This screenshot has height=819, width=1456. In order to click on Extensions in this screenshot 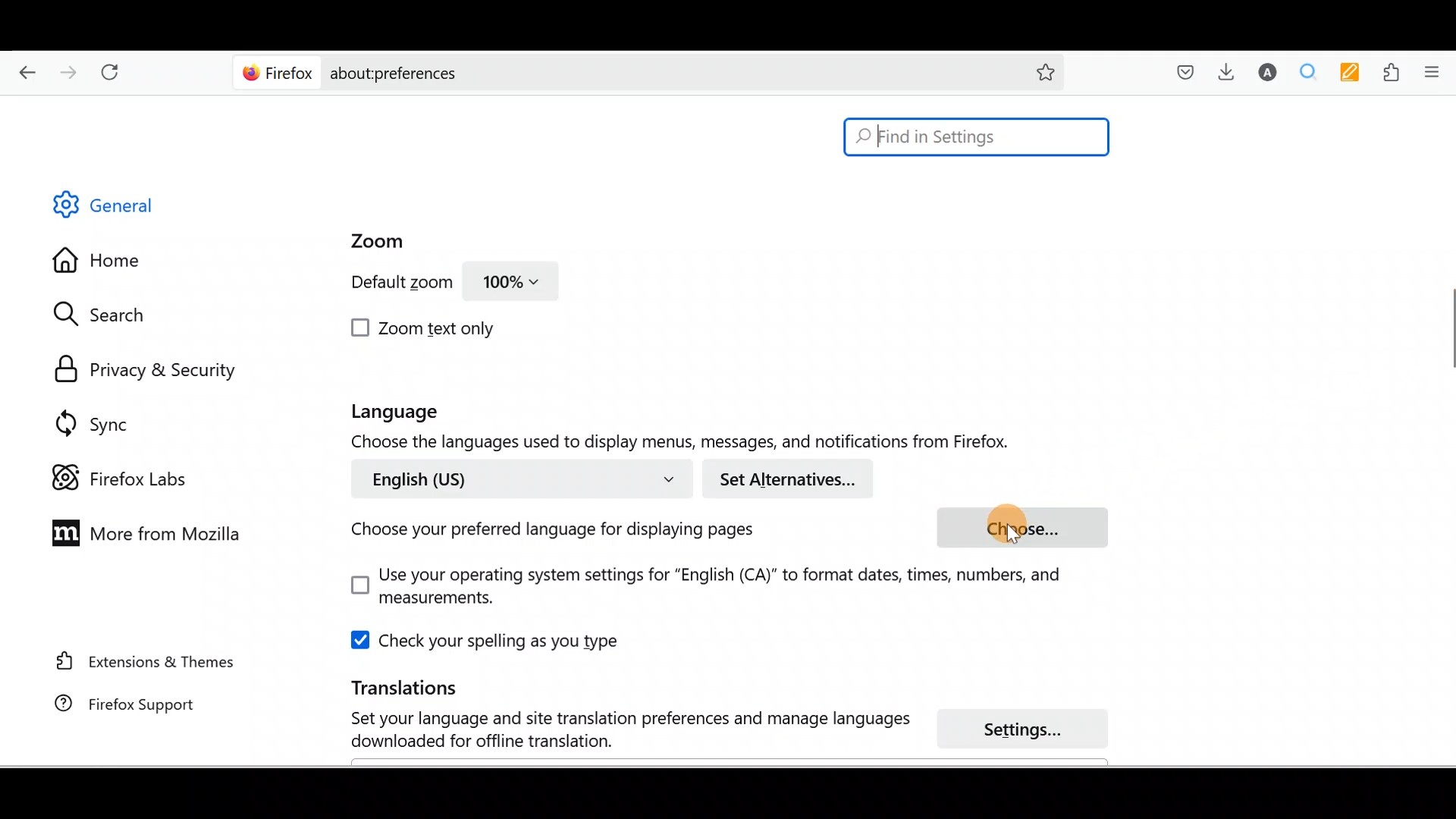, I will do `click(1395, 73)`.